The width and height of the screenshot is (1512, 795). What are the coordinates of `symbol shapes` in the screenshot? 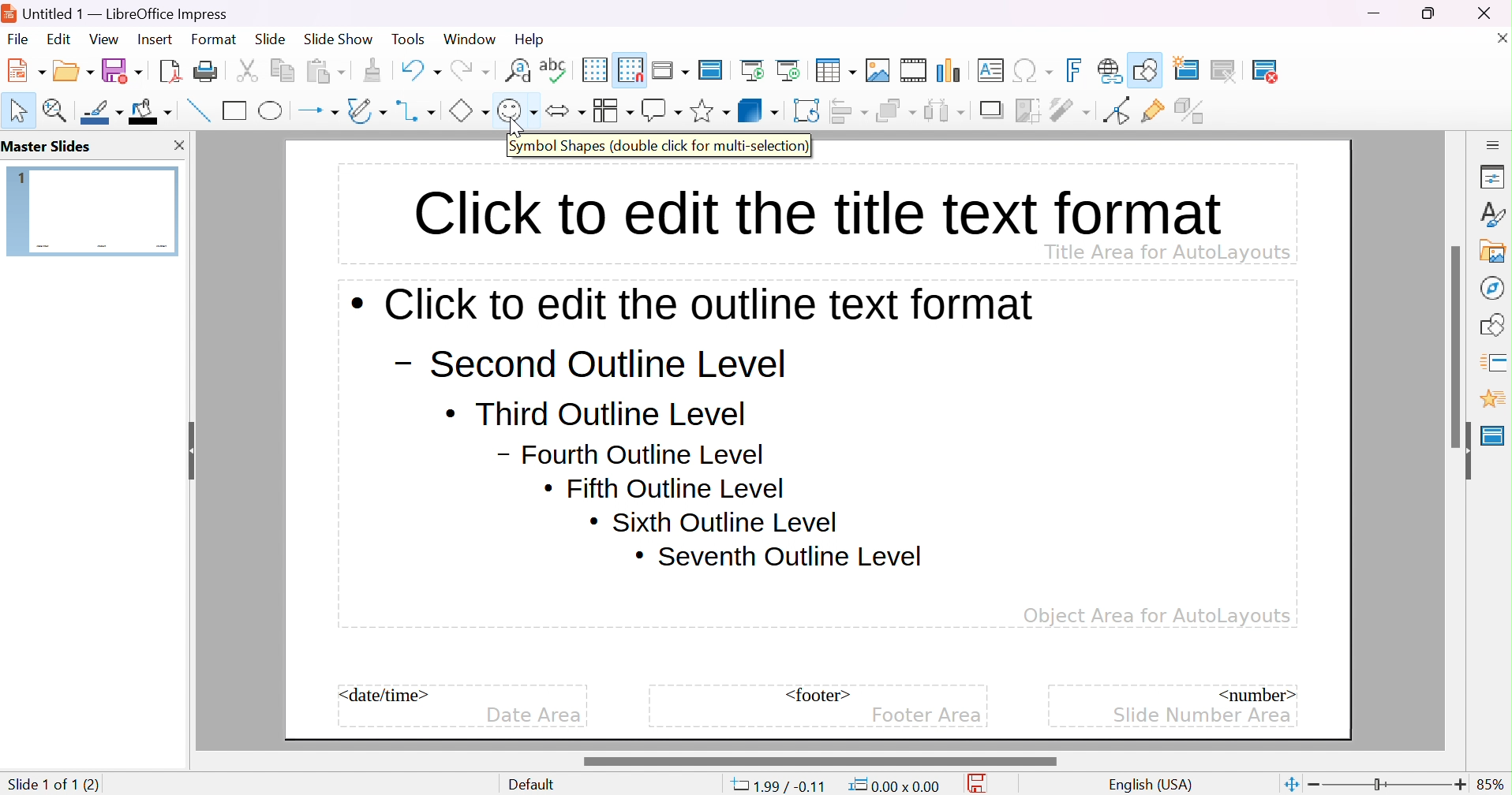 It's located at (517, 110).